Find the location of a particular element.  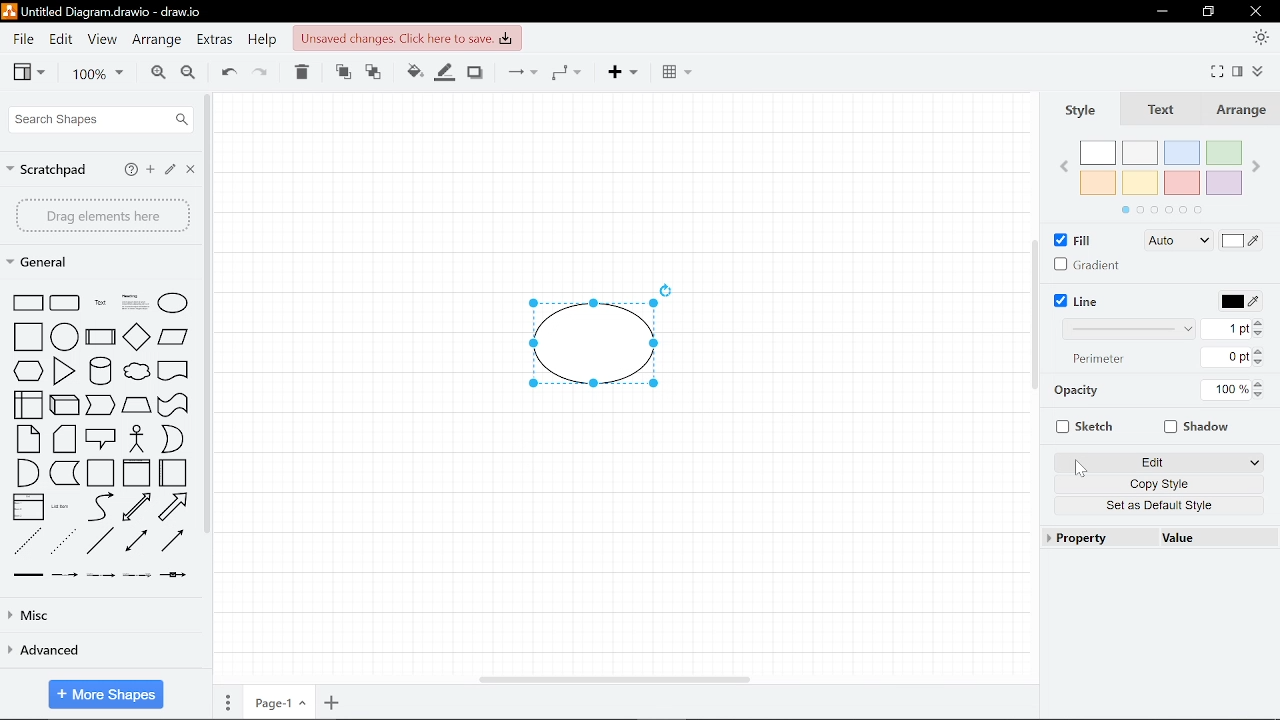

Decrease opacity is located at coordinates (1260, 395).